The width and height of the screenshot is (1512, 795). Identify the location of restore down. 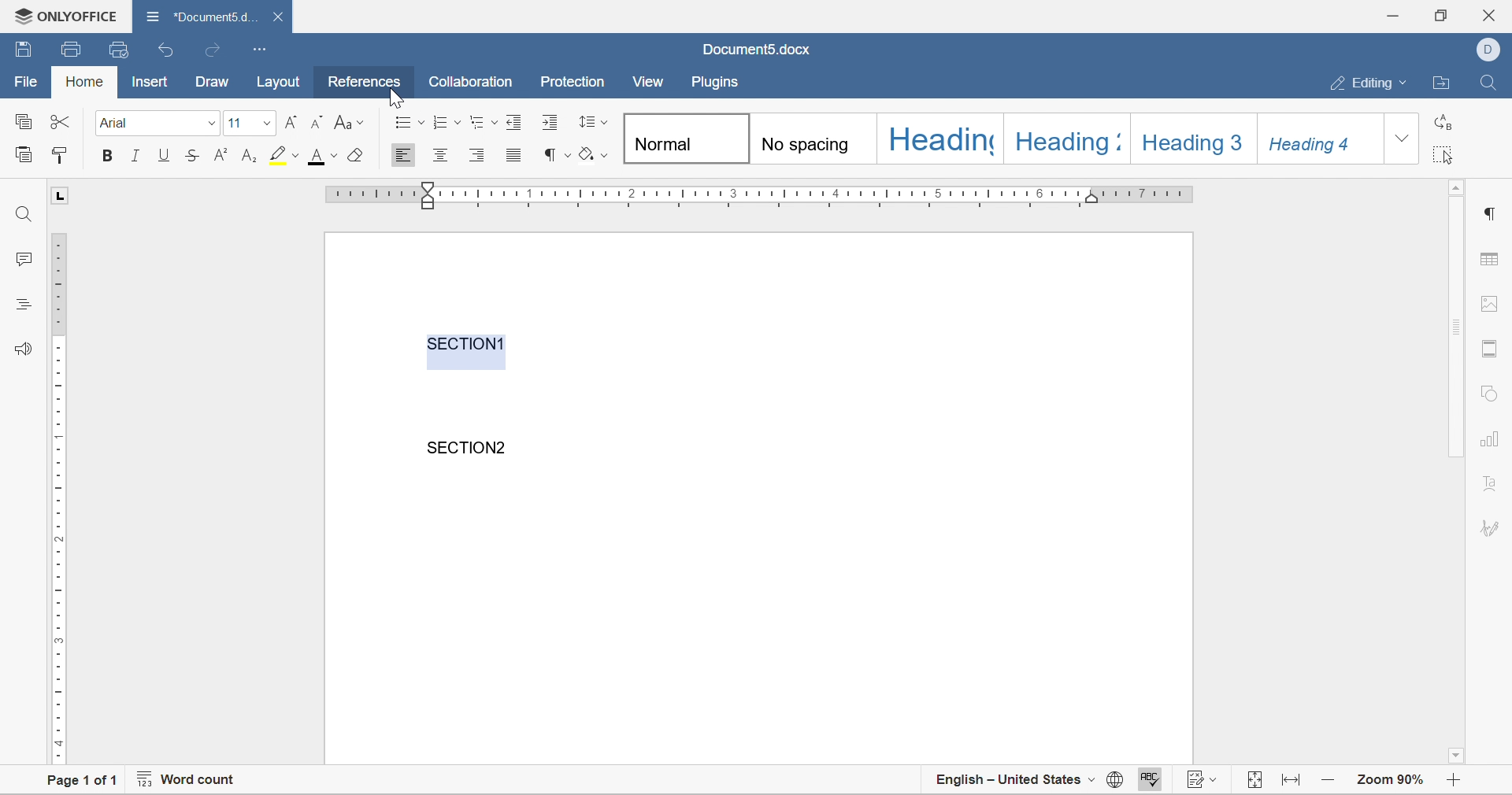
(1439, 14).